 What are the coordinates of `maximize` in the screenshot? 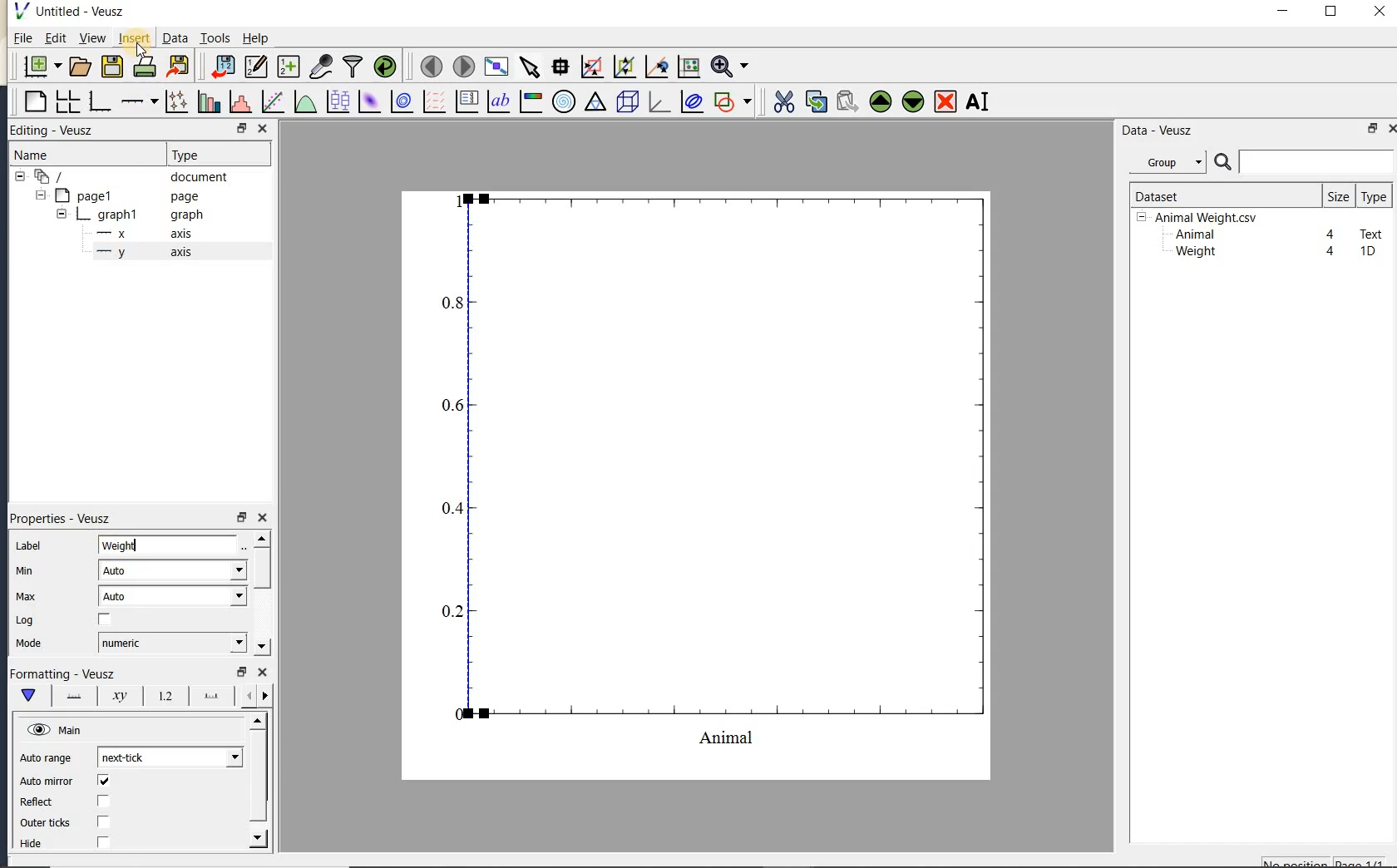 It's located at (1331, 12).